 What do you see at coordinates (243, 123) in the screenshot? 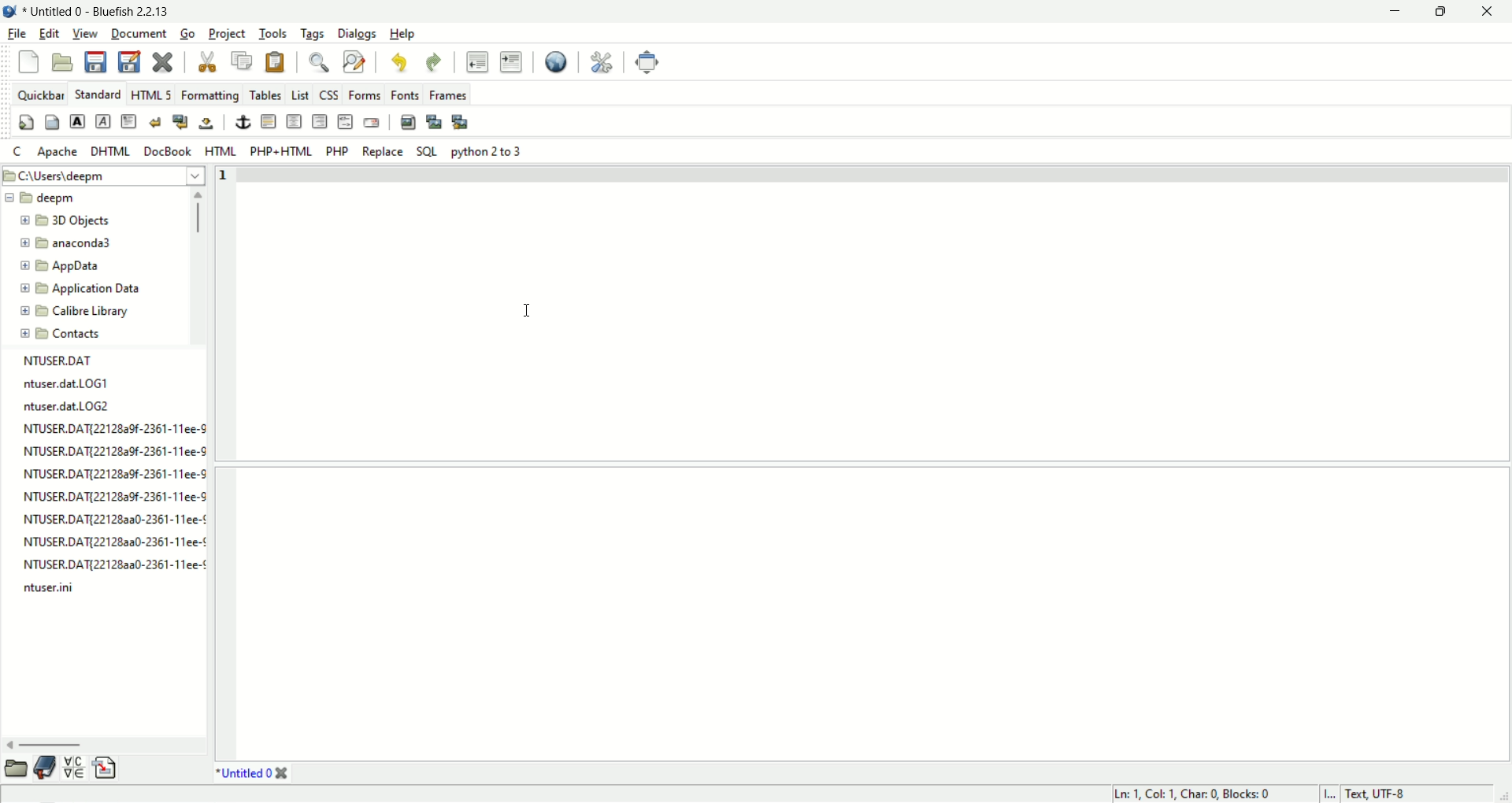
I see `anchor` at bounding box center [243, 123].